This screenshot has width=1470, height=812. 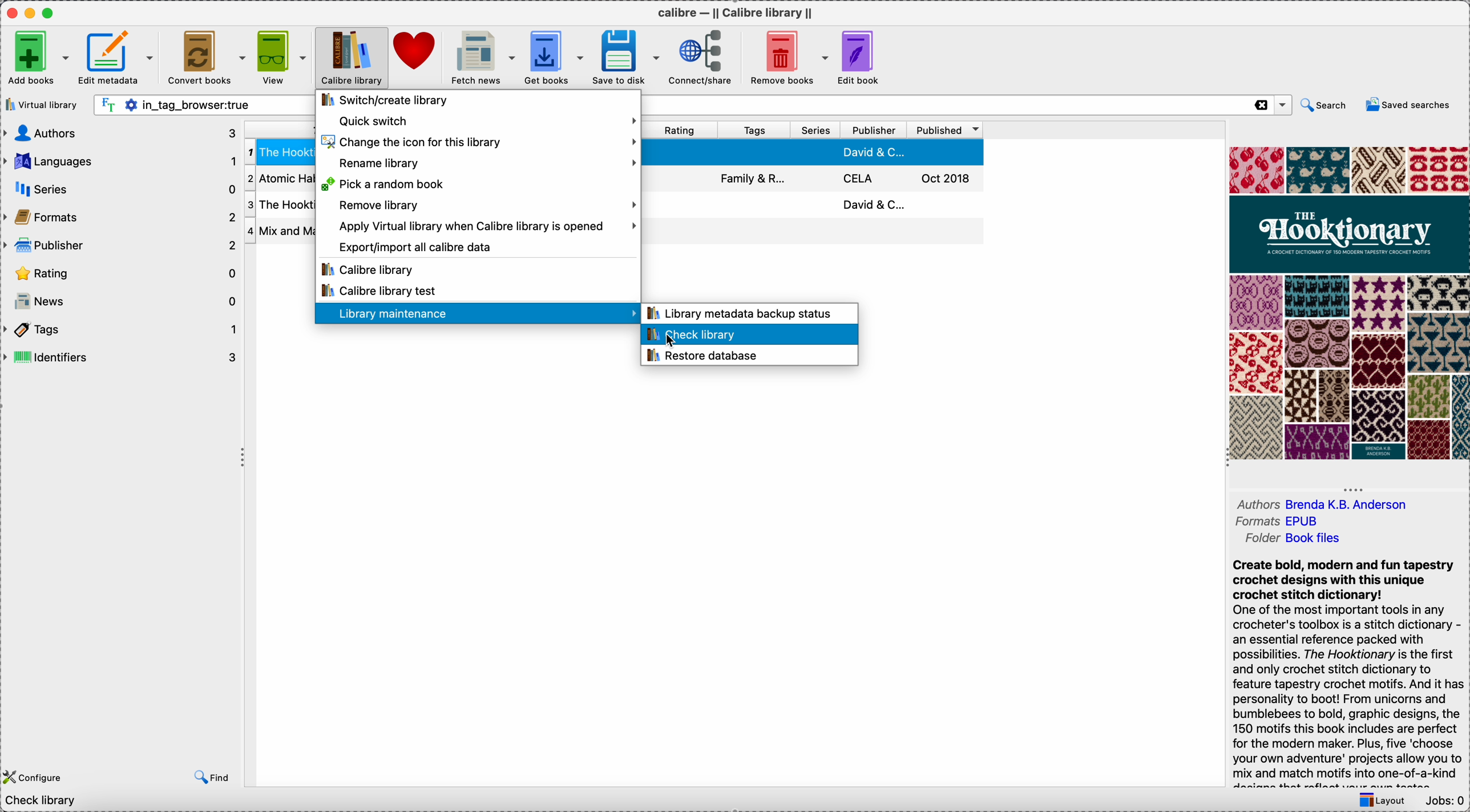 I want to click on close, so click(x=1260, y=105).